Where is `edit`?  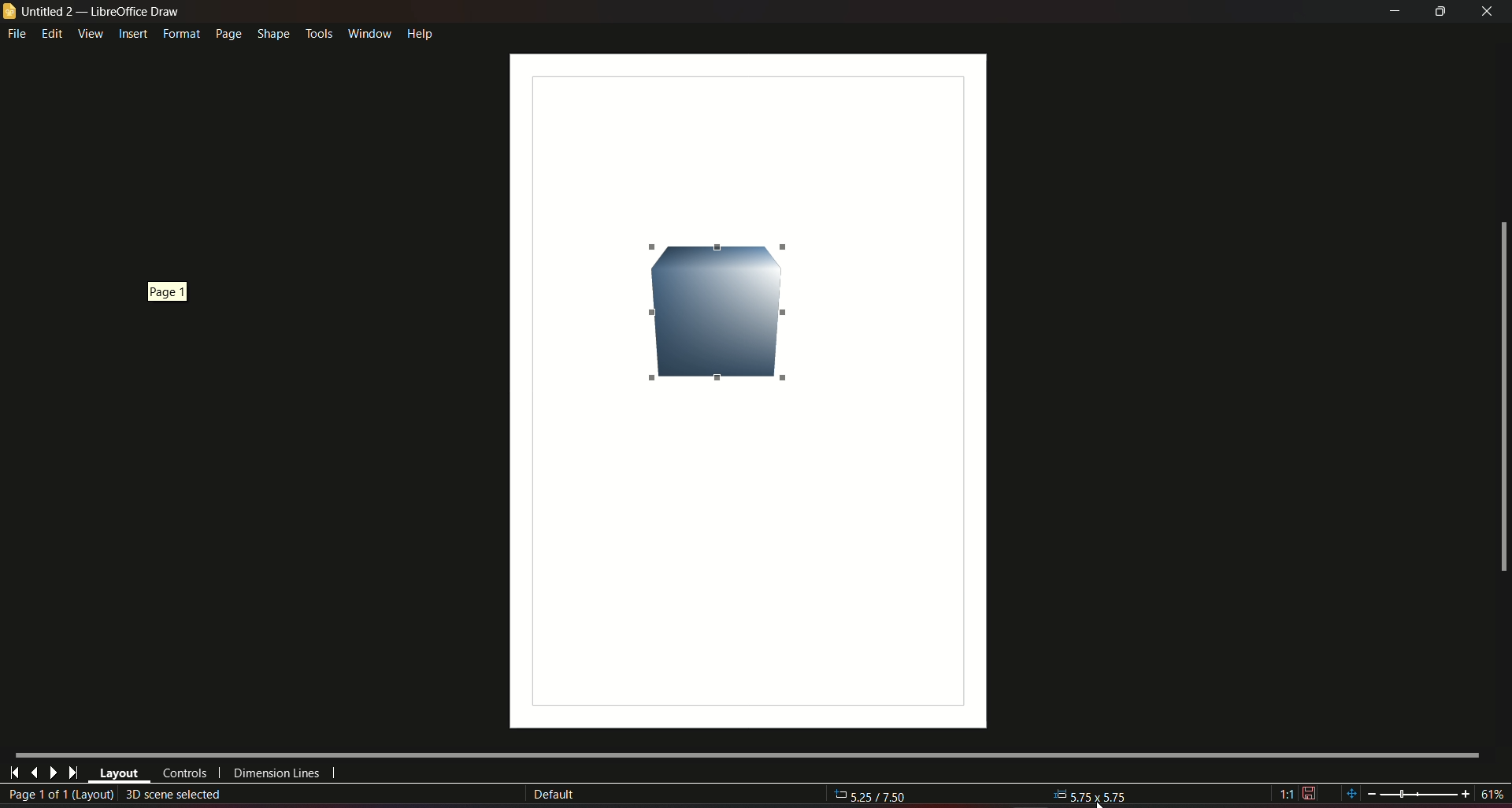
edit is located at coordinates (53, 33).